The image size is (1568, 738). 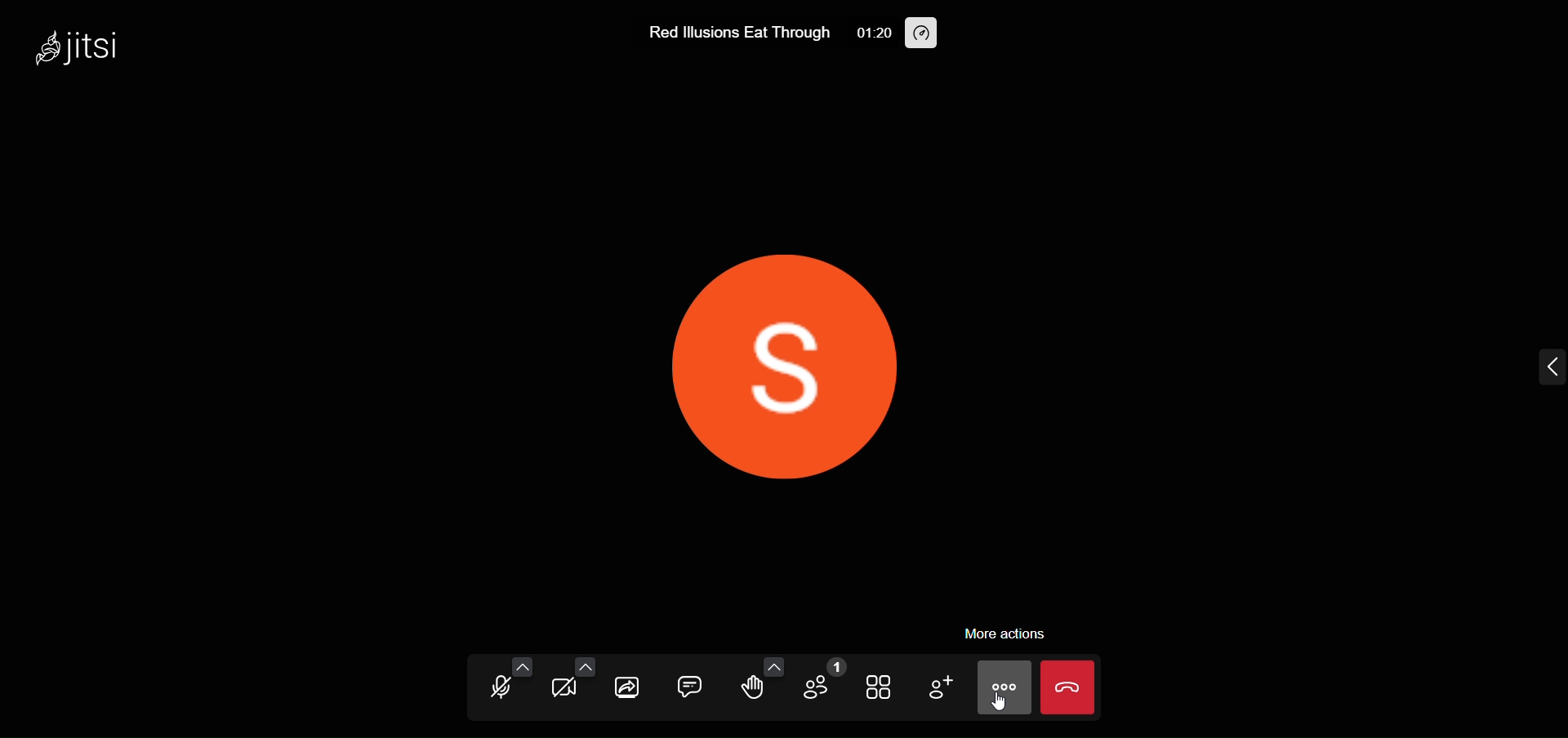 What do you see at coordinates (587, 667) in the screenshot?
I see `more camera options` at bounding box center [587, 667].